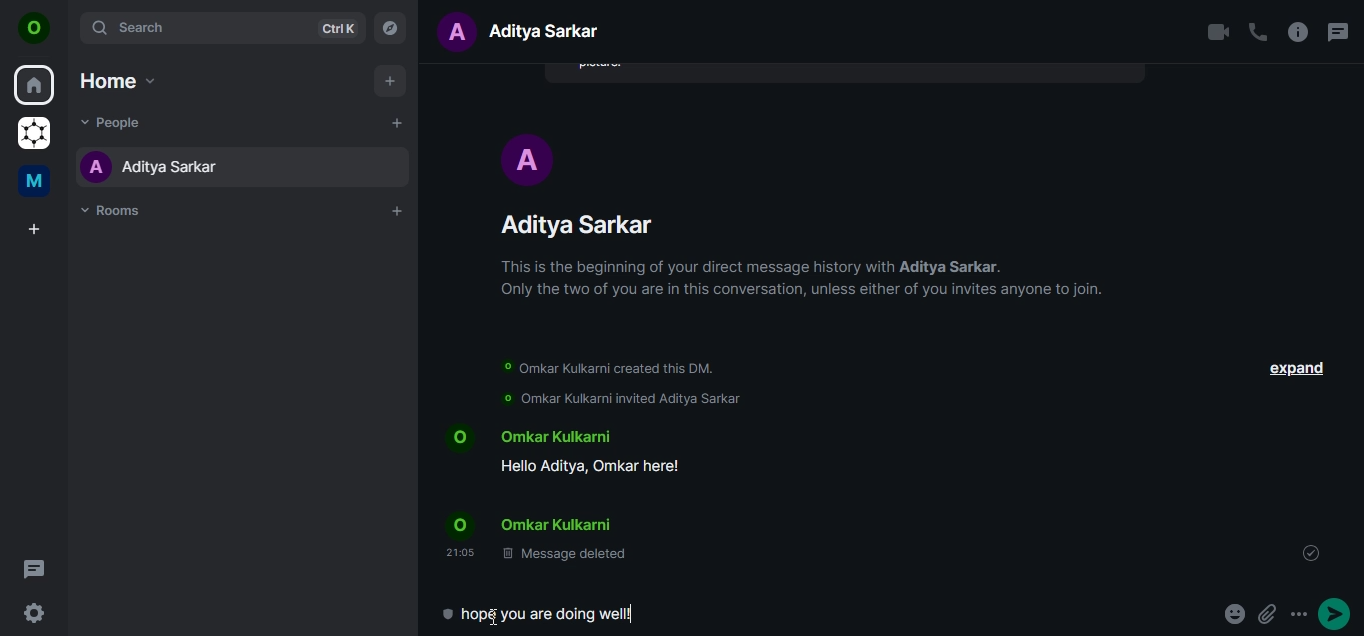 This screenshot has width=1364, height=636. I want to click on text, so click(531, 30).